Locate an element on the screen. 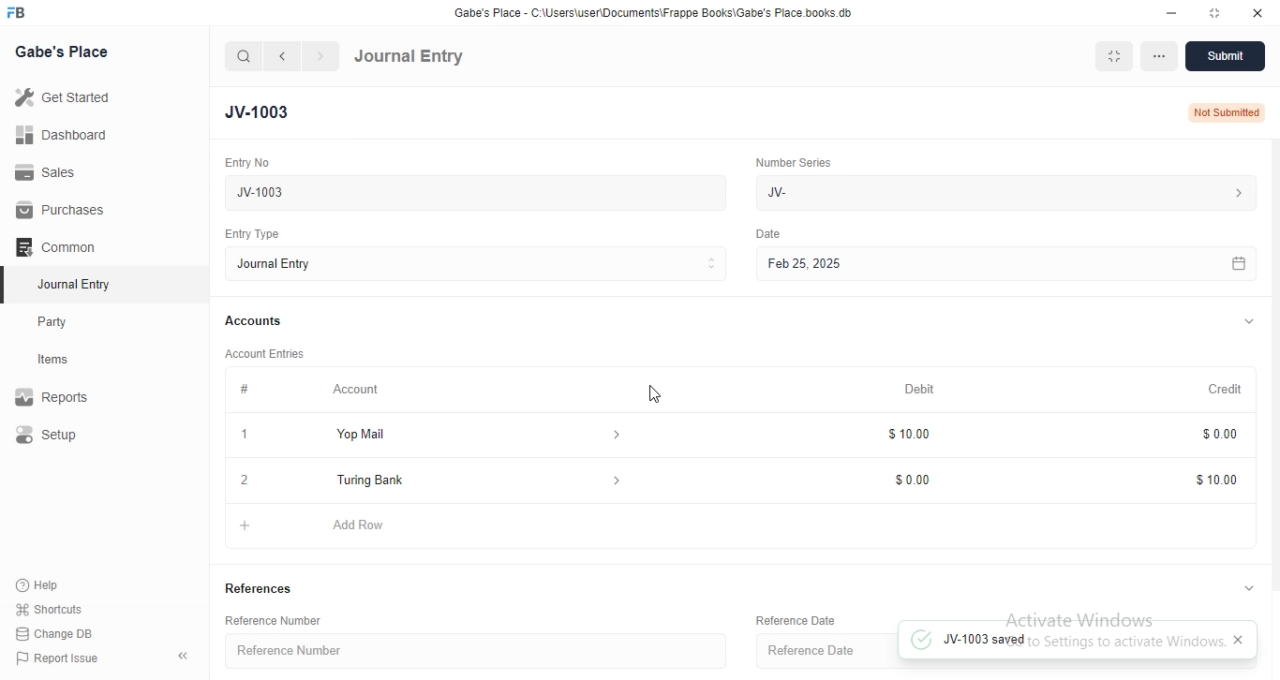 This screenshot has height=680, width=1280. Items is located at coordinates (72, 361).